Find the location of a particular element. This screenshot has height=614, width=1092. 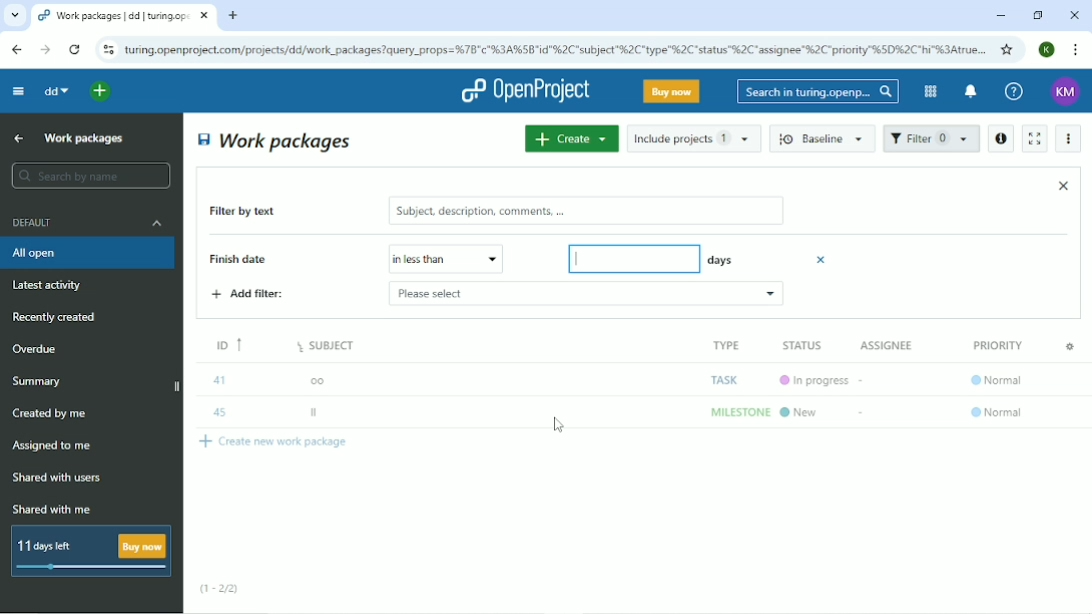

settings is located at coordinates (1067, 350).